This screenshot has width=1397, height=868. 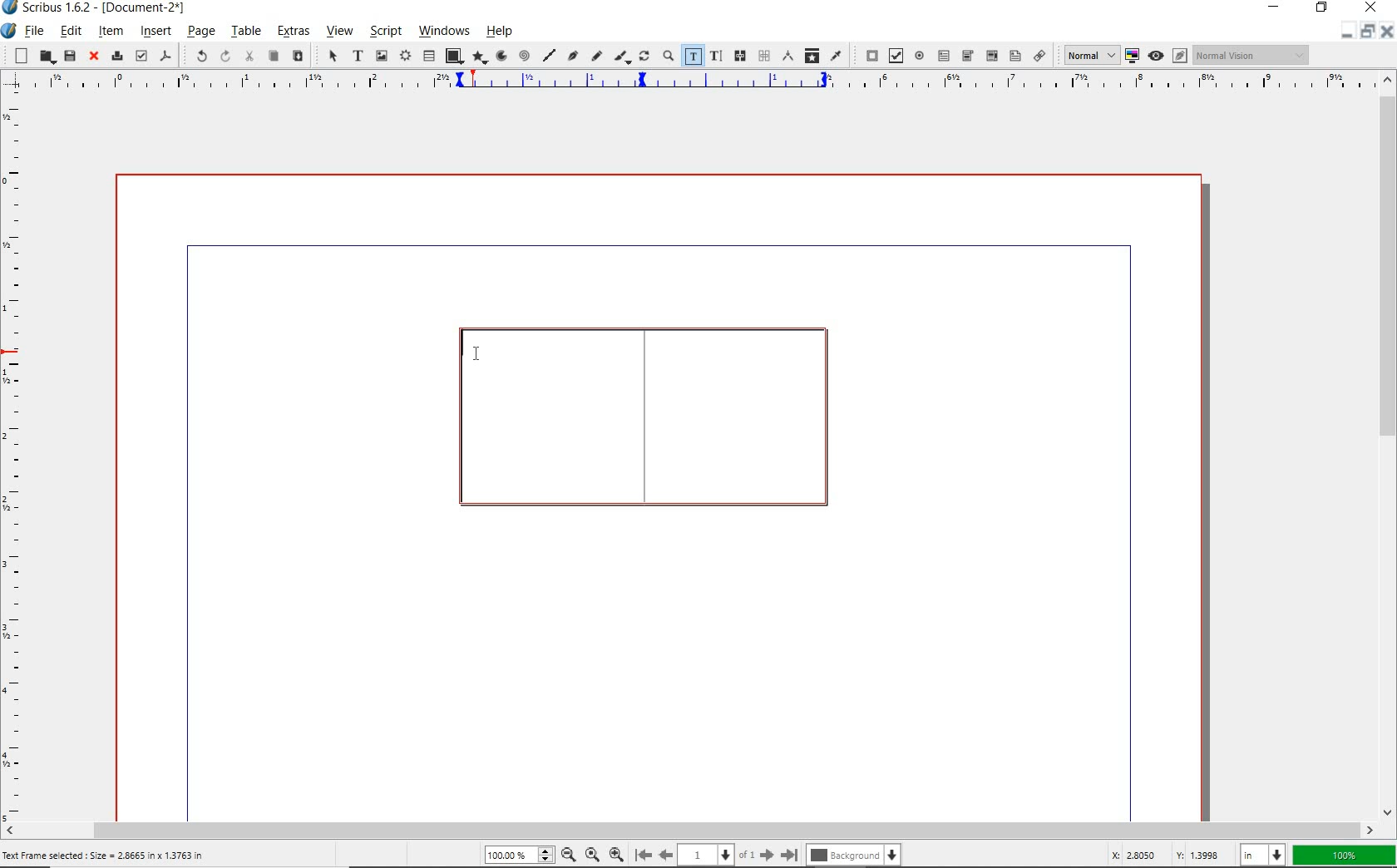 What do you see at coordinates (71, 32) in the screenshot?
I see `edit` at bounding box center [71, 32].